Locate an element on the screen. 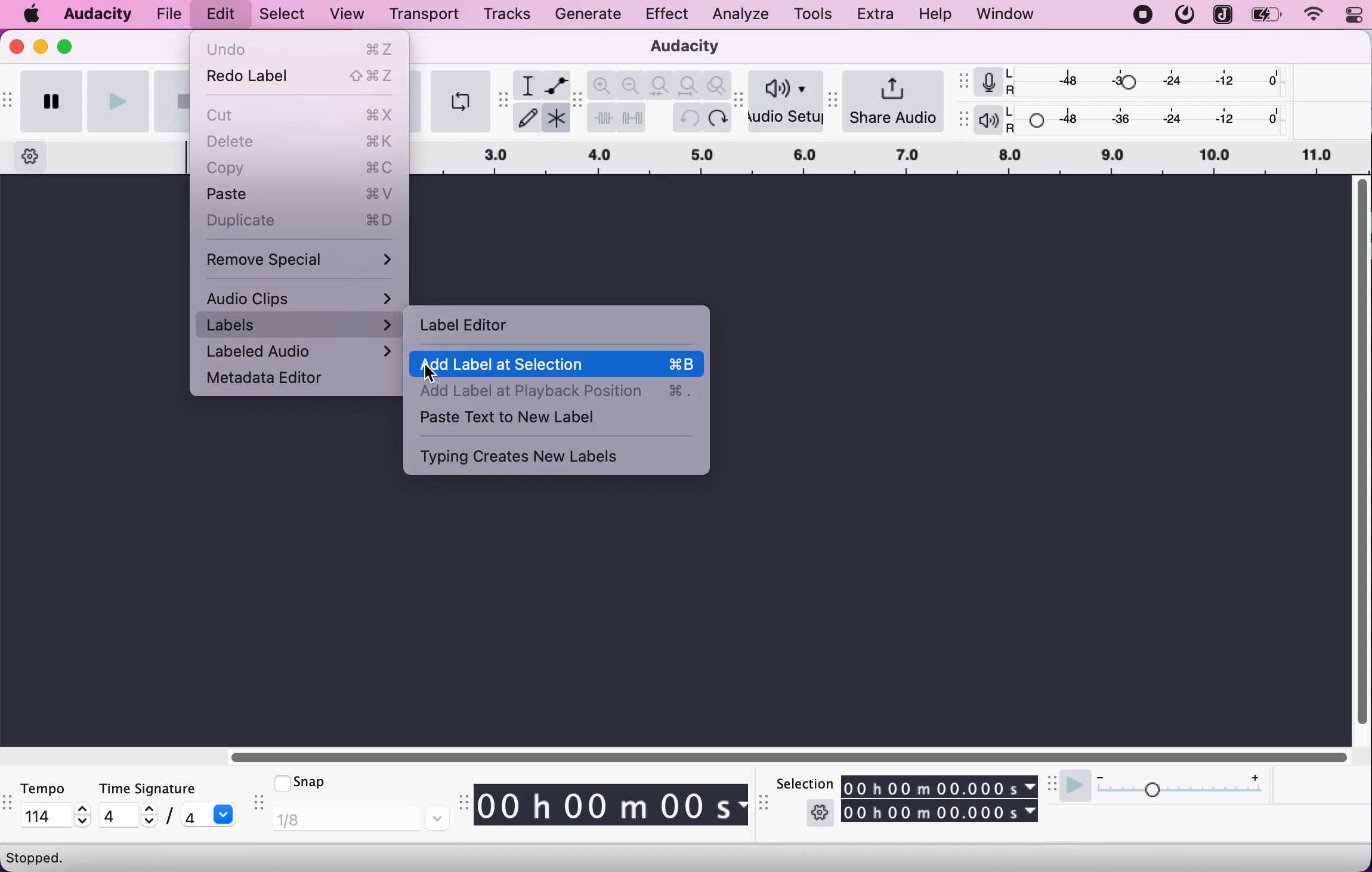  audacity transport toolbar is located at coordinates (8, 103).